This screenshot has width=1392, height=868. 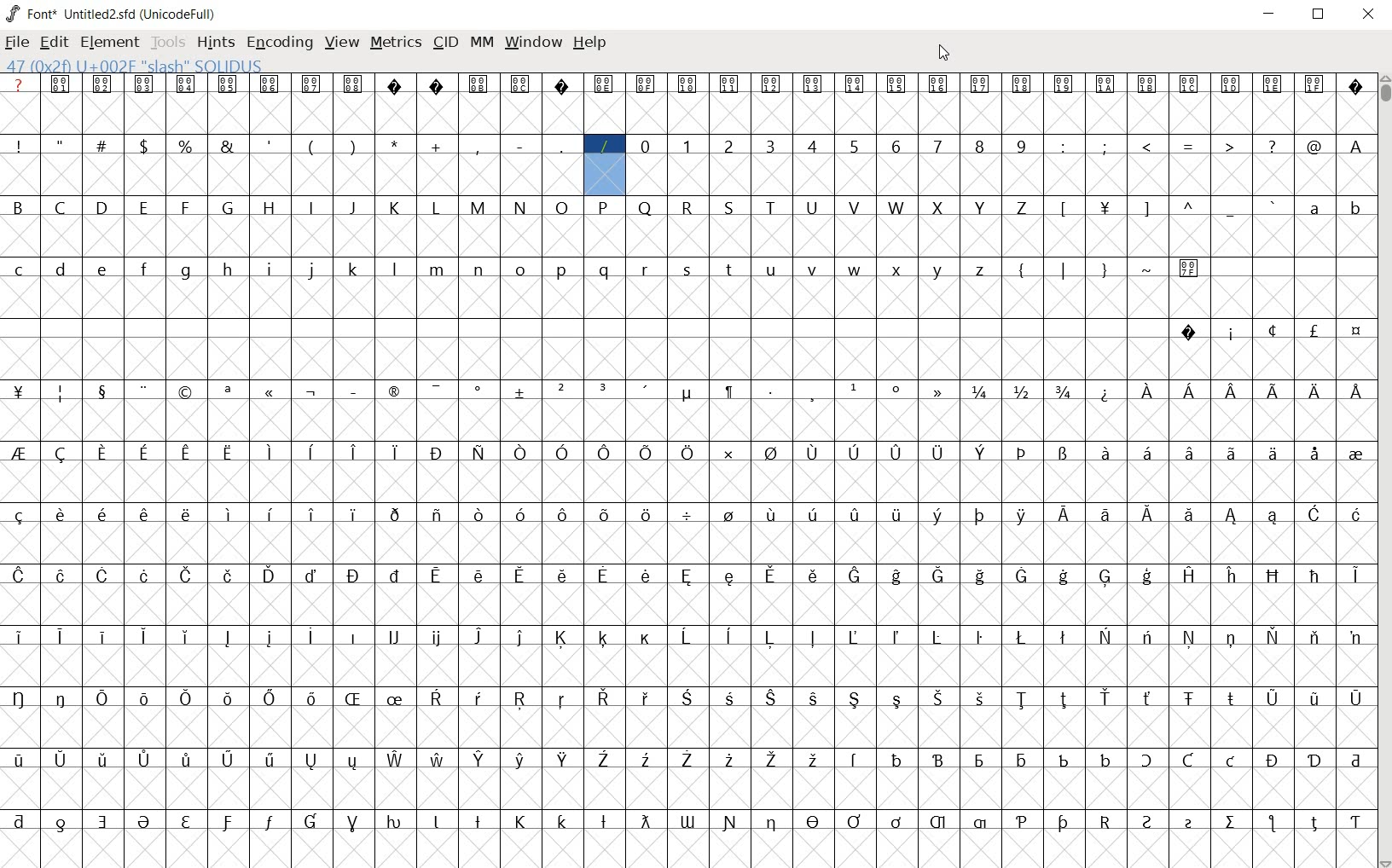 I want to click on glyph, so click(x=561, y=271).